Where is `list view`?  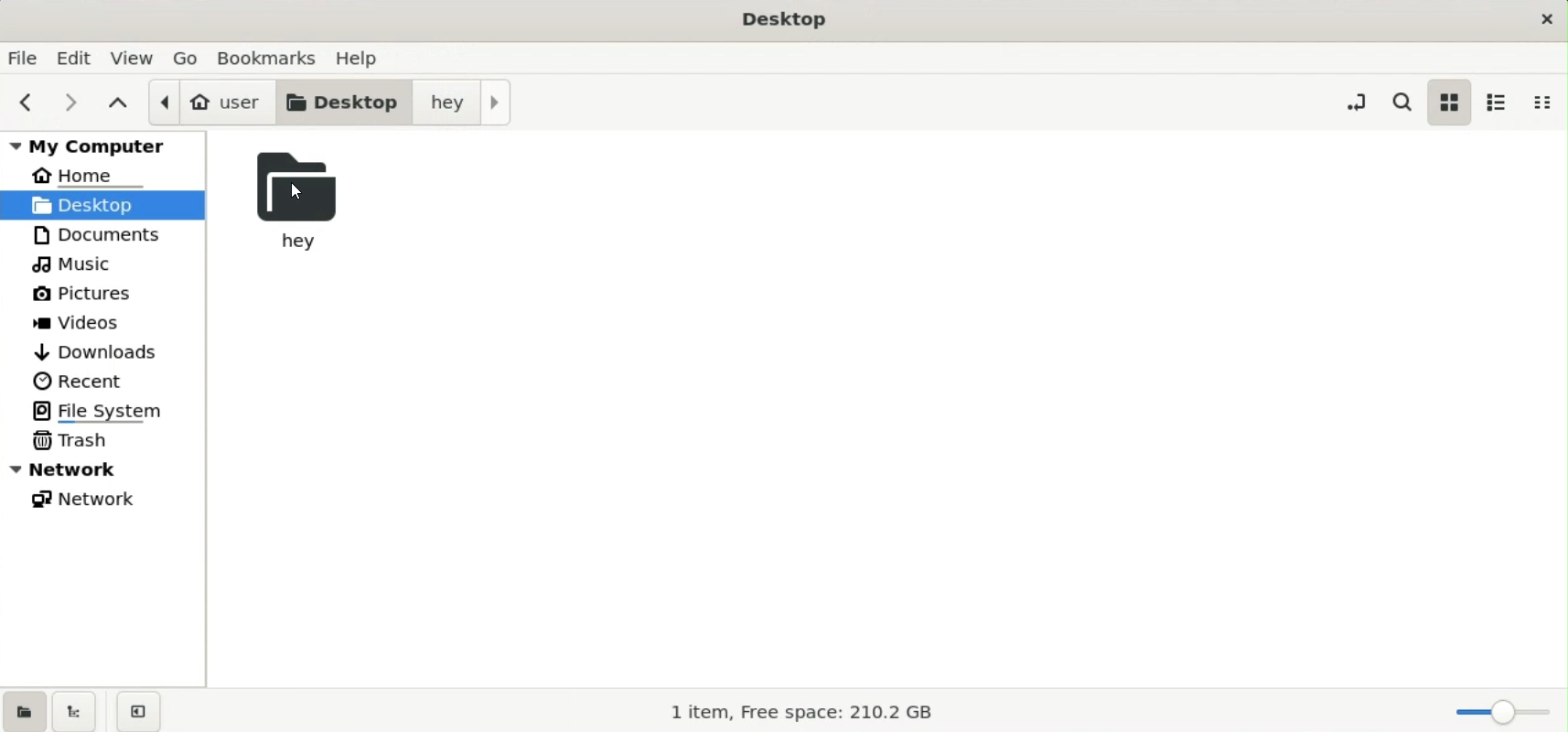 list view is located at coordinates (1497, 102).